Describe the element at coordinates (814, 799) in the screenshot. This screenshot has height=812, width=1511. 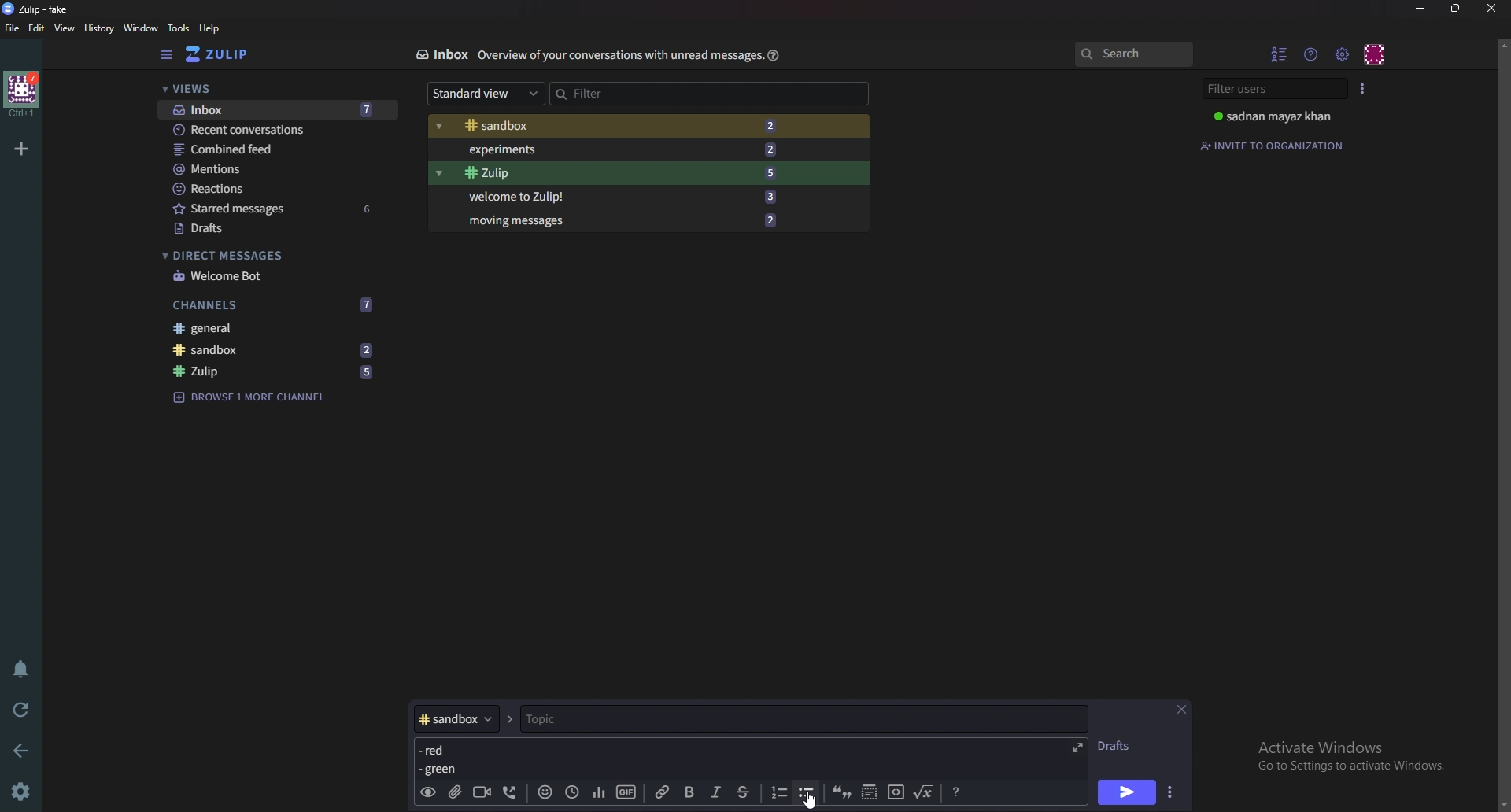
I see `Cursor` at that location.